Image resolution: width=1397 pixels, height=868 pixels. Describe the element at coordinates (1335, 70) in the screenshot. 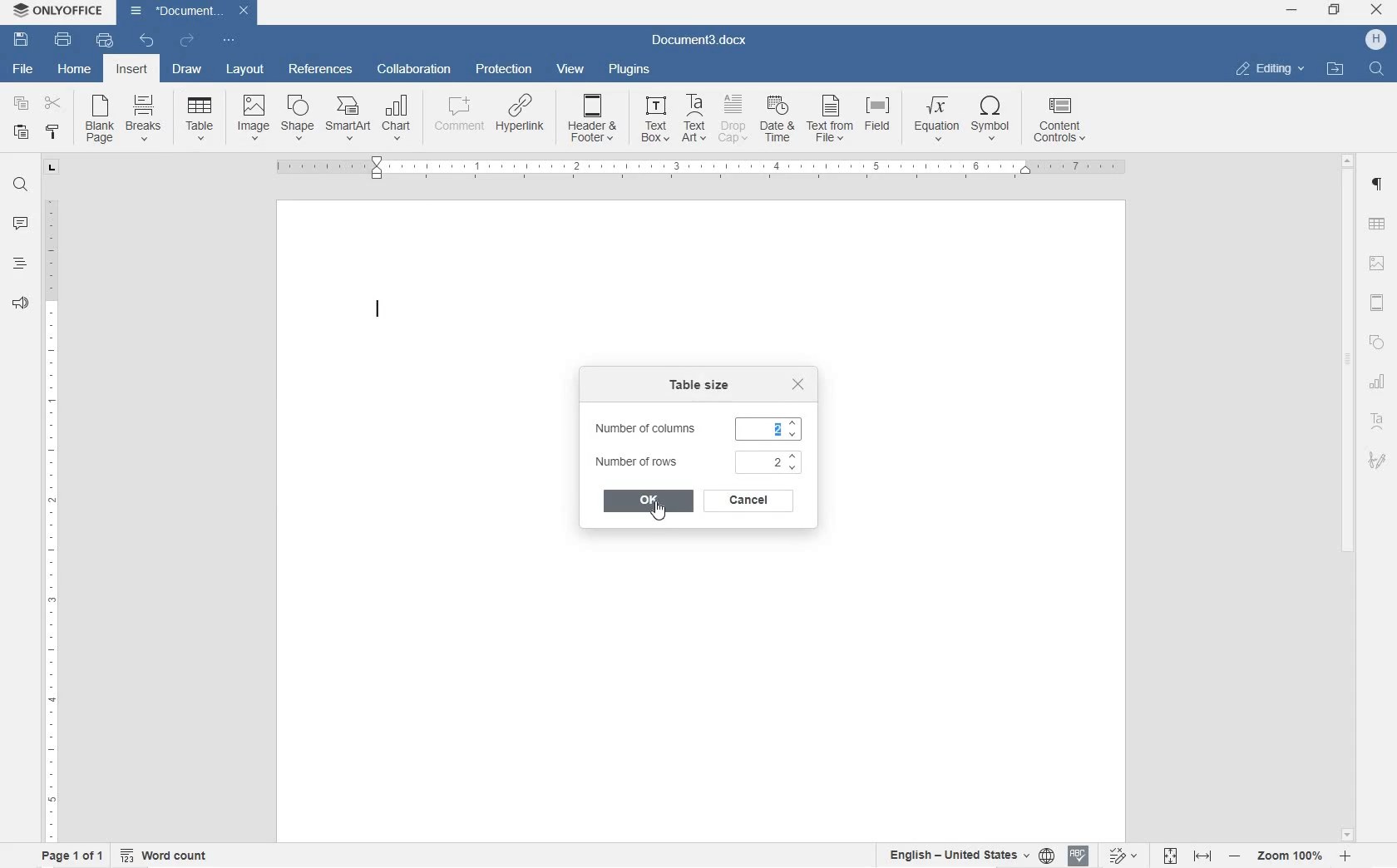

I see `open file location` at that location.